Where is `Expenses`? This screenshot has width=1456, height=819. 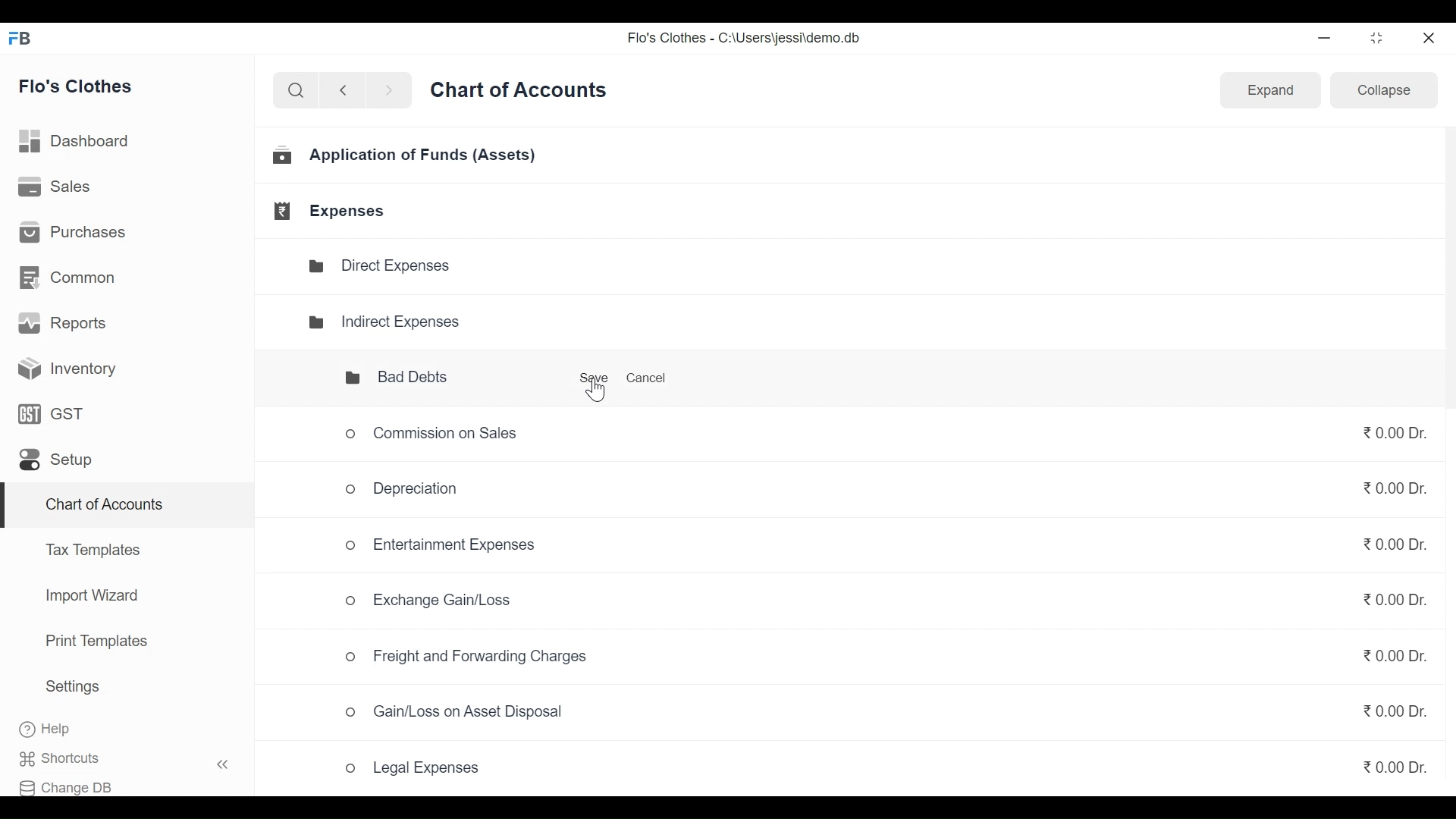 Expenses is located at coordinates (332, 211).